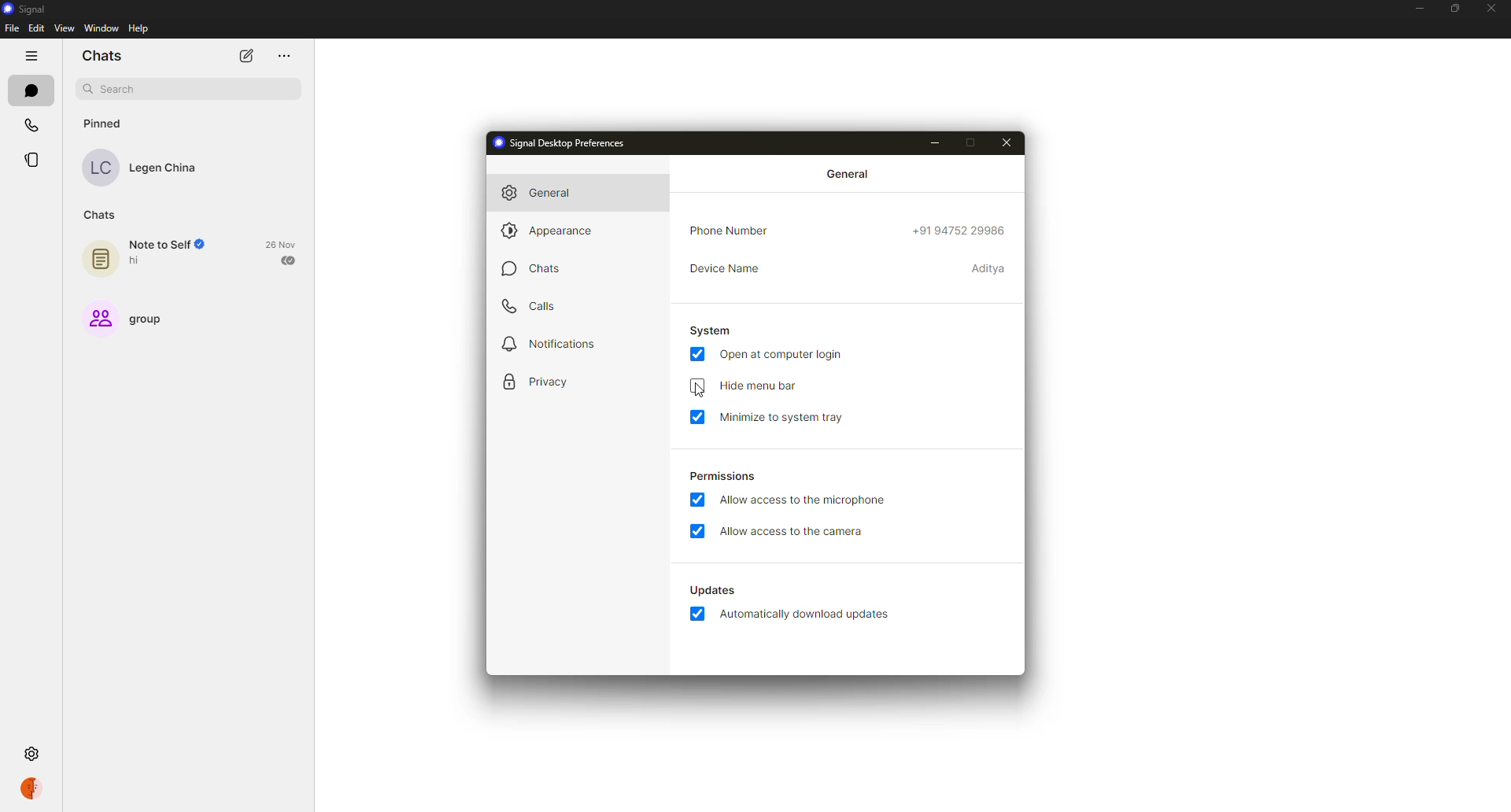 Image resolution: width=1511 pixels, height=812 pixels. What do you see at coordinates (697, 531) in the screenshot?
I see `enabled` at bounding box center [697, 531].